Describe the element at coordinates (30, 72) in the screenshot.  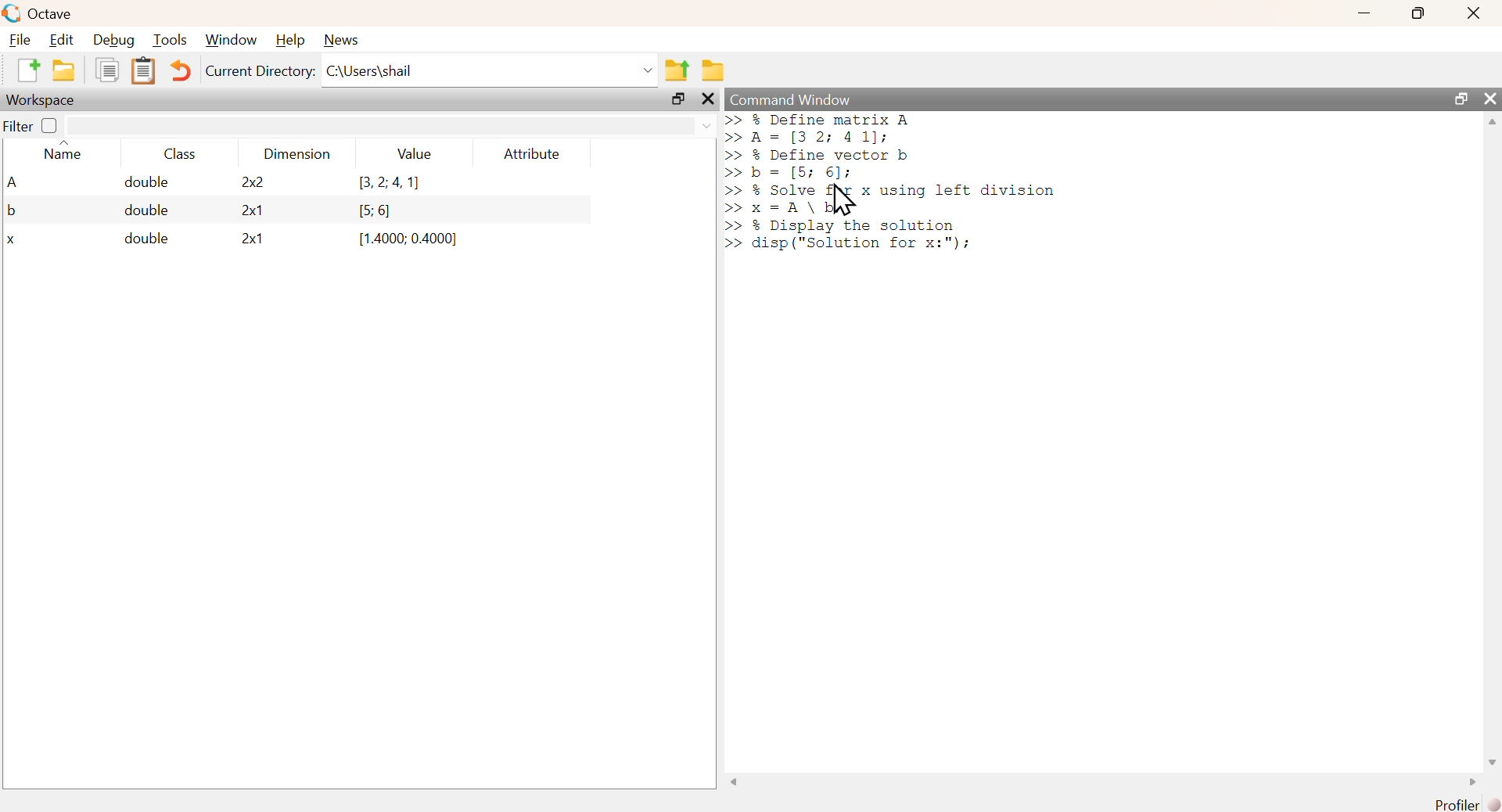
I see `new script` at that location.